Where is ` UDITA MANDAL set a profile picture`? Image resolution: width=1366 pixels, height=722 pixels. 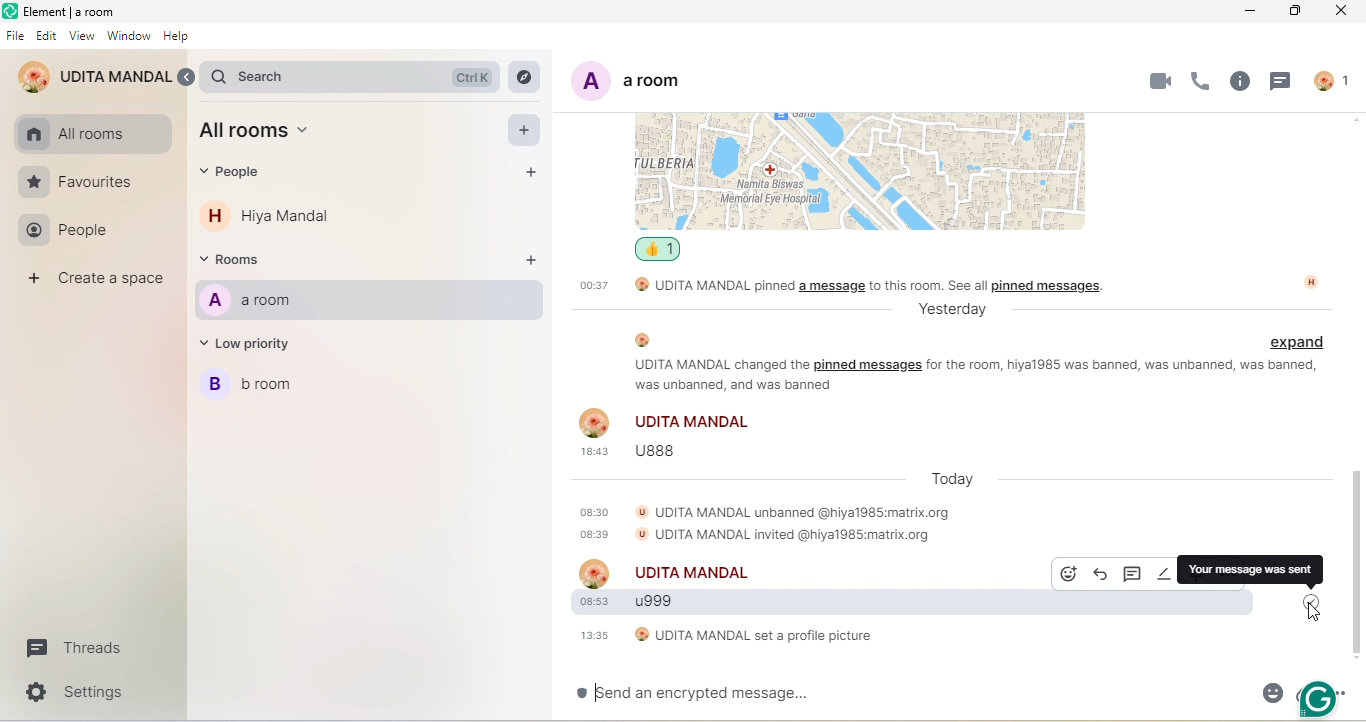  UDITA MANDAL set a profile picture is located at coordinates (727, 637).